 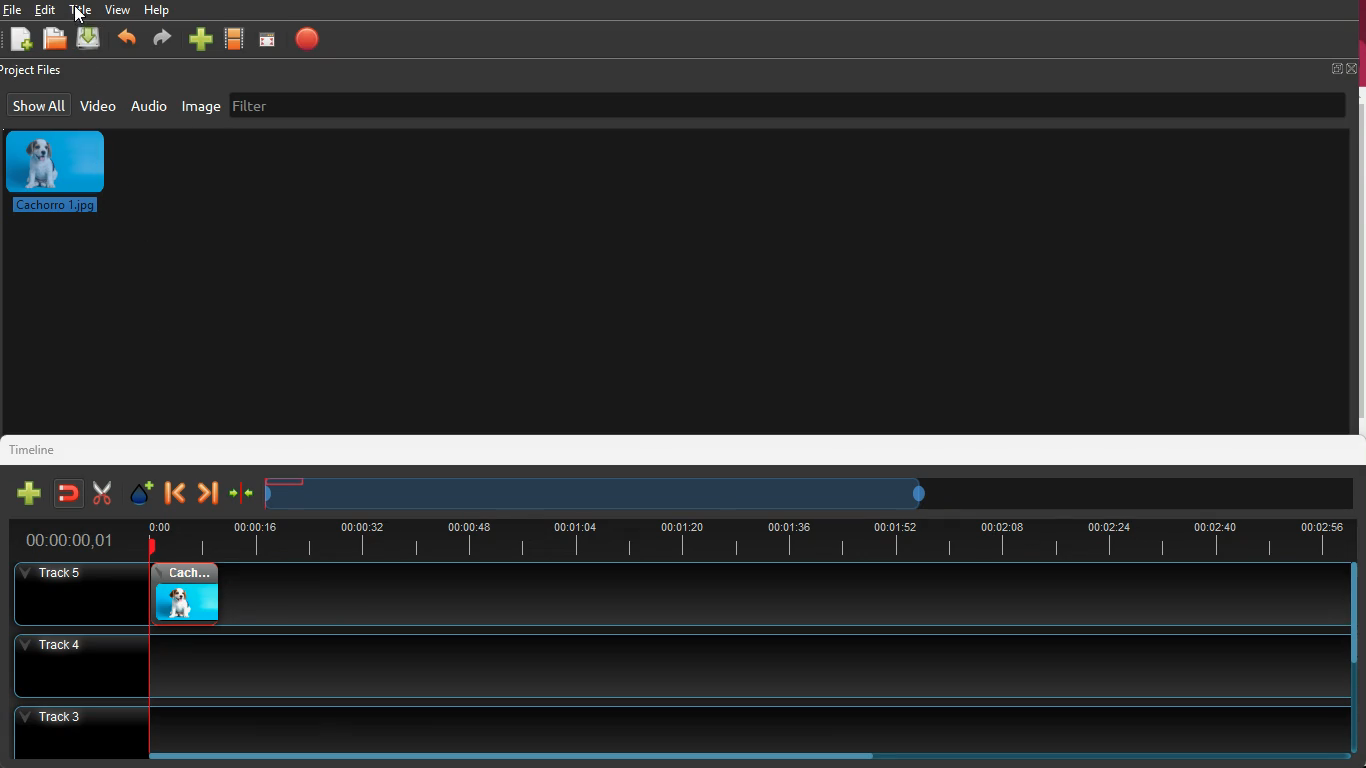 What do you see at coordinates (175, 493) in the screenshot?
I see `back` at bounding box center [175, 493].